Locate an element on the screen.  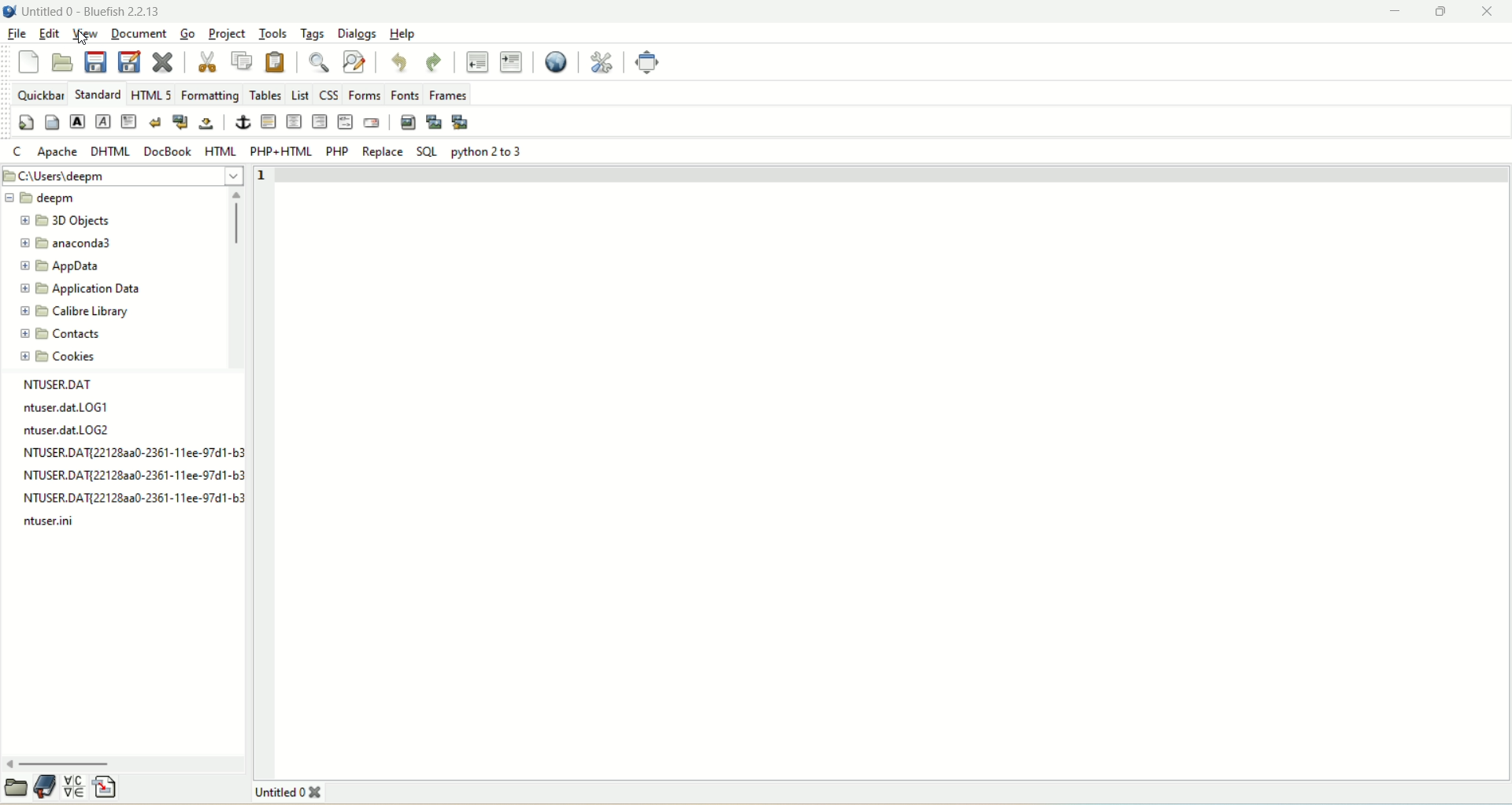
HTML is located at coordinates (220, 152).